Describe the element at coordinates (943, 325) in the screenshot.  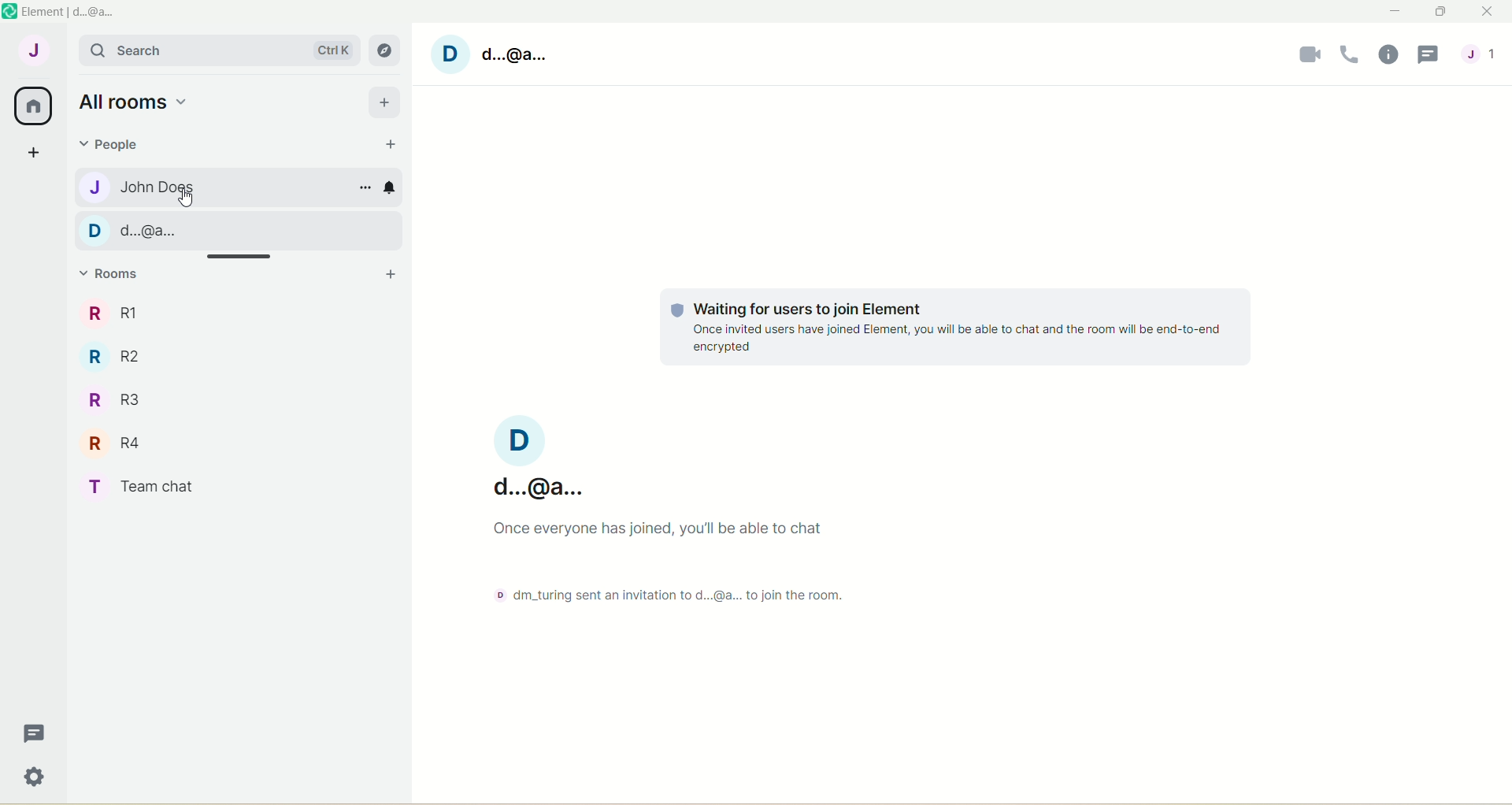
I see `Waiting for user to join Element` at that location.